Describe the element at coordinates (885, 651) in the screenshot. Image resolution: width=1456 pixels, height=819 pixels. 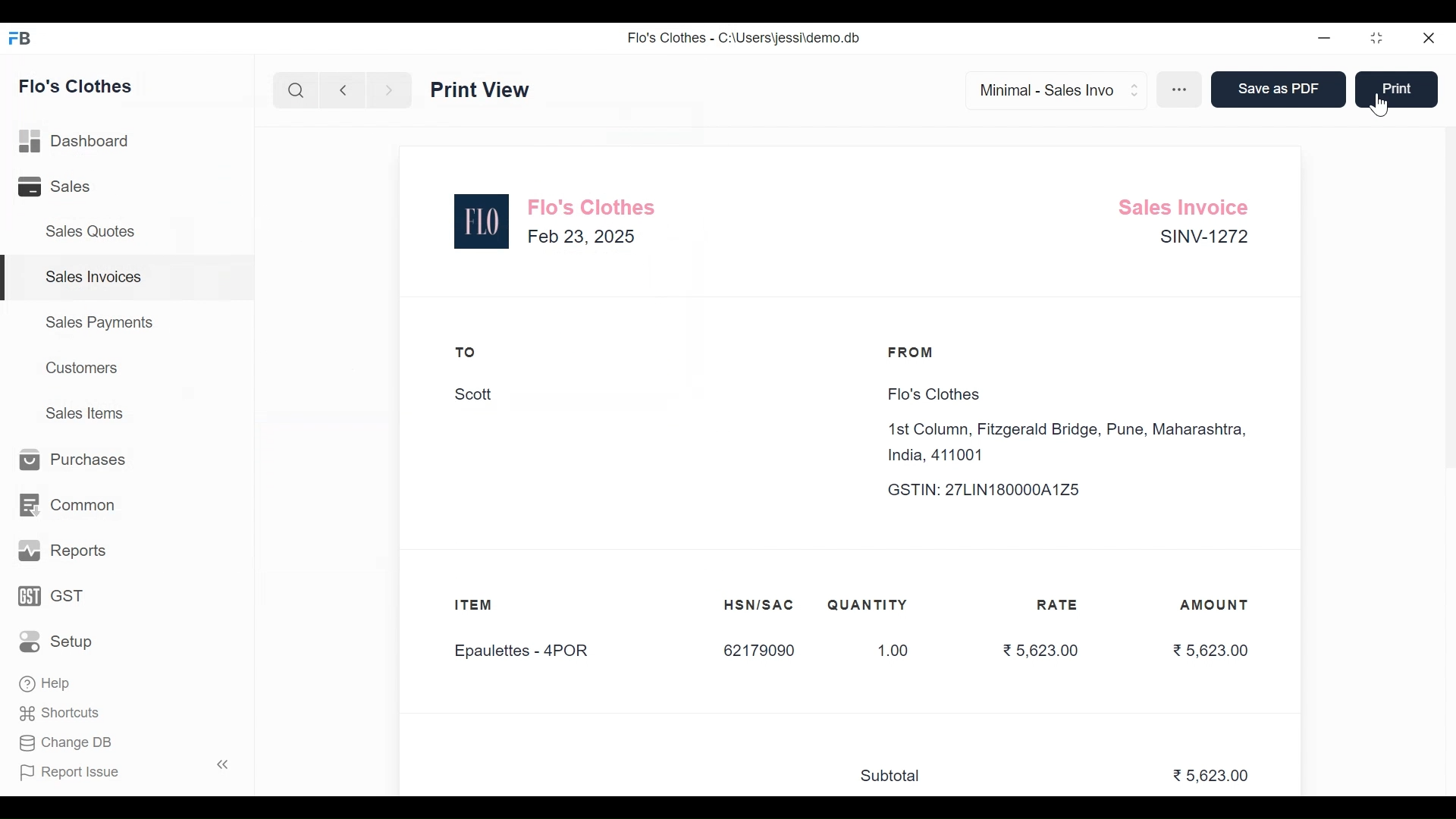
I see `1.00` at that location.